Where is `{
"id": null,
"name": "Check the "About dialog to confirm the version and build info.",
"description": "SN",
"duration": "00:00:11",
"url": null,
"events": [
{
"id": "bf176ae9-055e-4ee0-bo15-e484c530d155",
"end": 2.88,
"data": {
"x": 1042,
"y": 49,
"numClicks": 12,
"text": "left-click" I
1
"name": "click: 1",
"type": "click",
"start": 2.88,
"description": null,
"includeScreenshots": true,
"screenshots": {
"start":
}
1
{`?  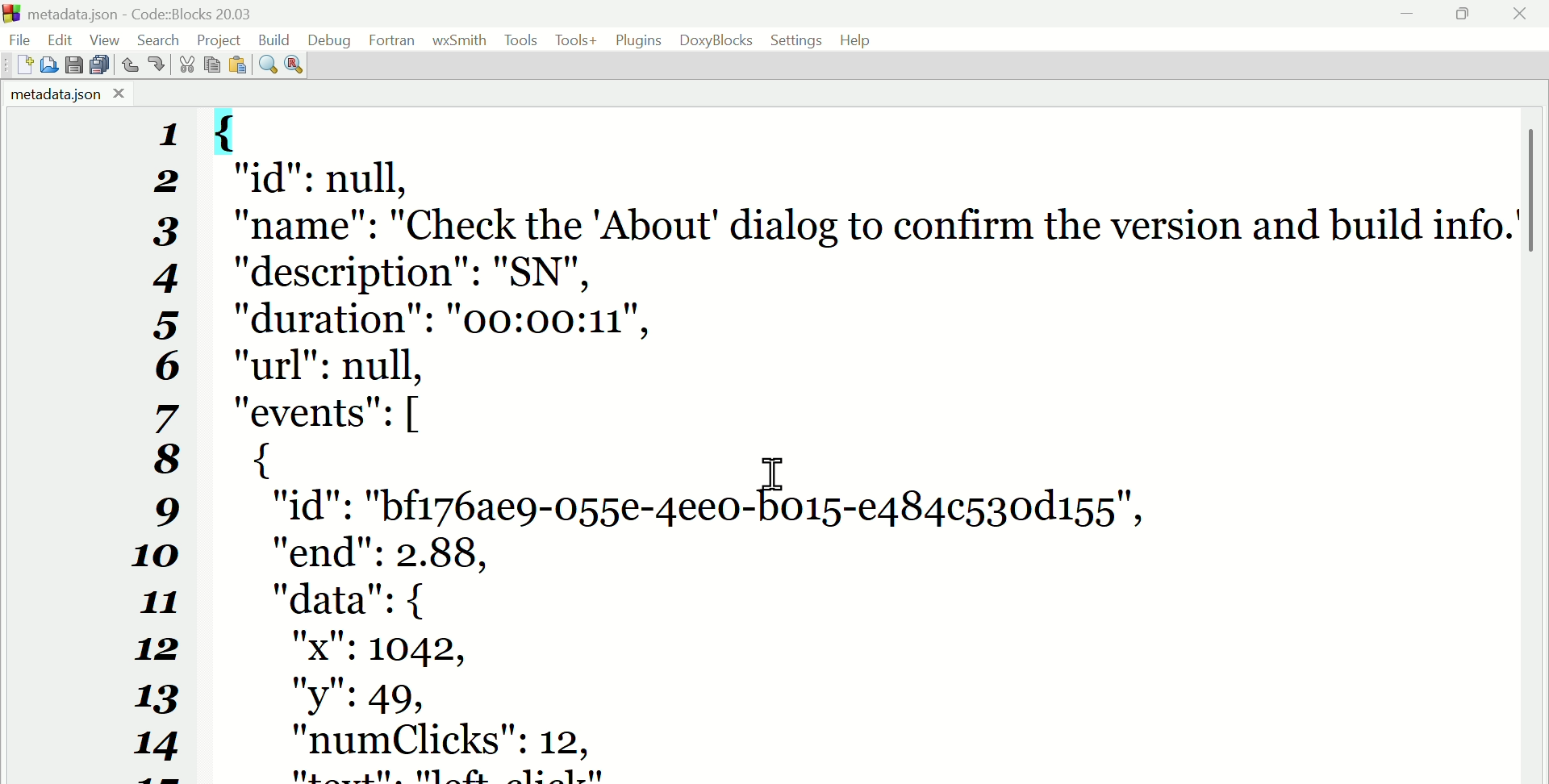 {
"id": null,
"name": "Check the "About dialog to confirm the version and build info.",
"description": "SN",
"duration": "00:00:11",
"url": null,
"events": [
{
"id": "bf176ae9-055e-4ee0-bo15-e484c530d155",
"end": 2.88,
"data": {
"x": 1042,
"y": 49,
"numClicks": 12,
"text": "left-click" I
1
"name": "click: 1",
"type": "click",
"start": 2.88,
"description": null,
"includeScreenshots": true,
"screenshots": {
"start":
}
1
{ is located at coordinates (863, 444).